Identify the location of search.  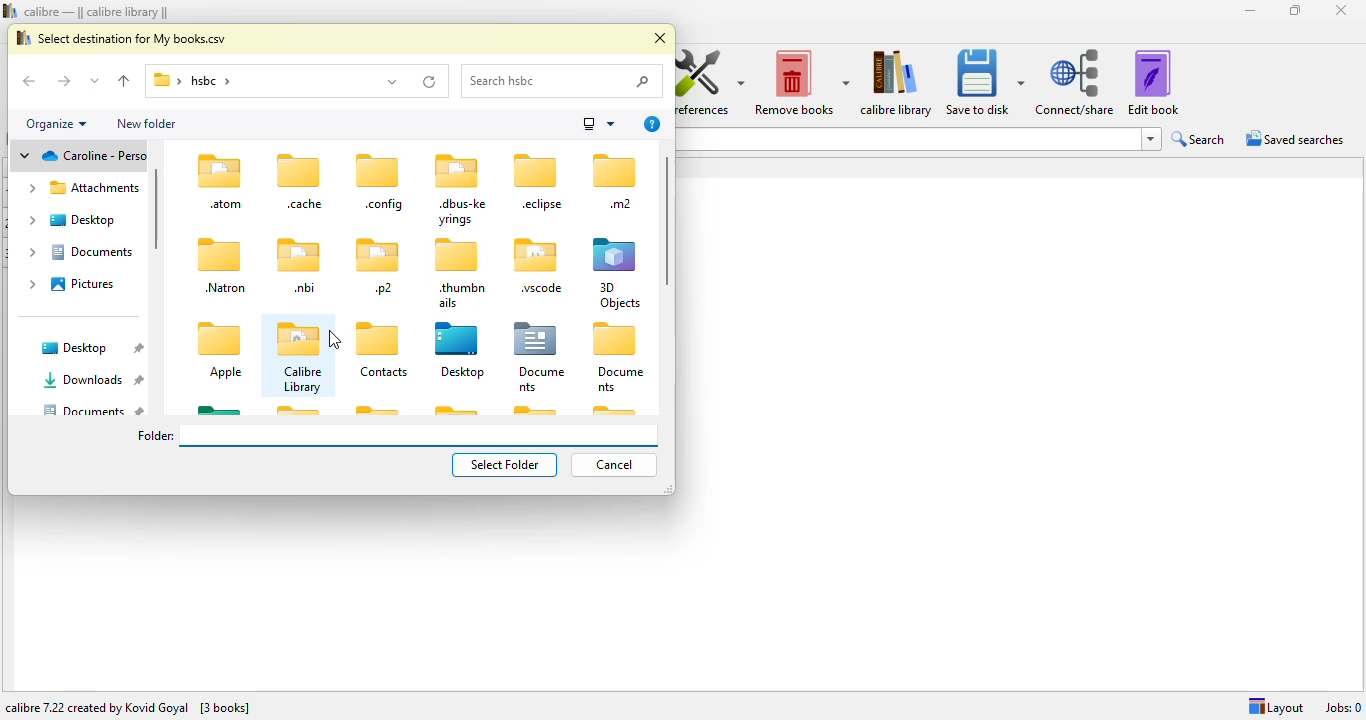
(1199, 139).